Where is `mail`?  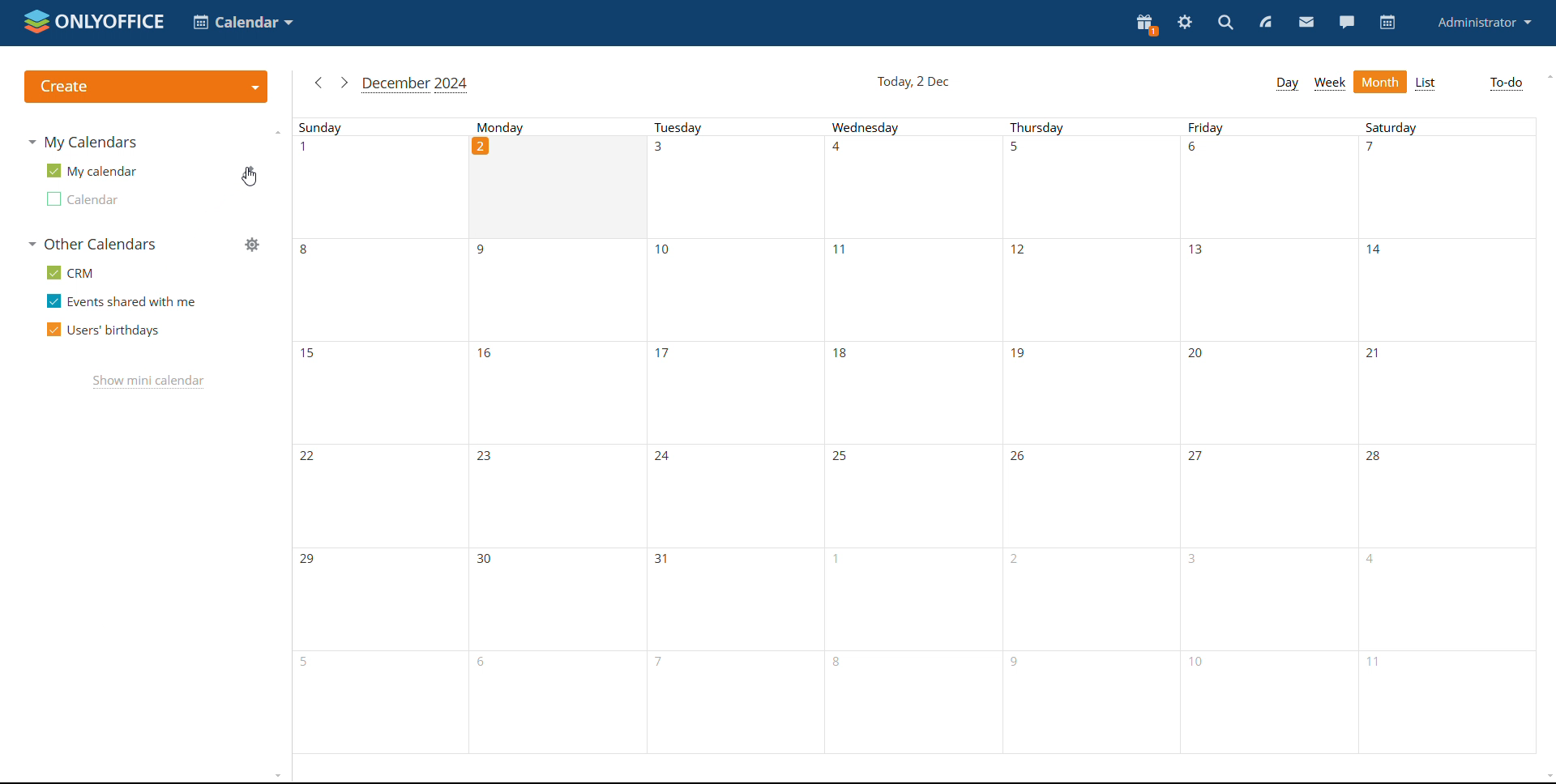
mail is located at coordinates (1306, 24).